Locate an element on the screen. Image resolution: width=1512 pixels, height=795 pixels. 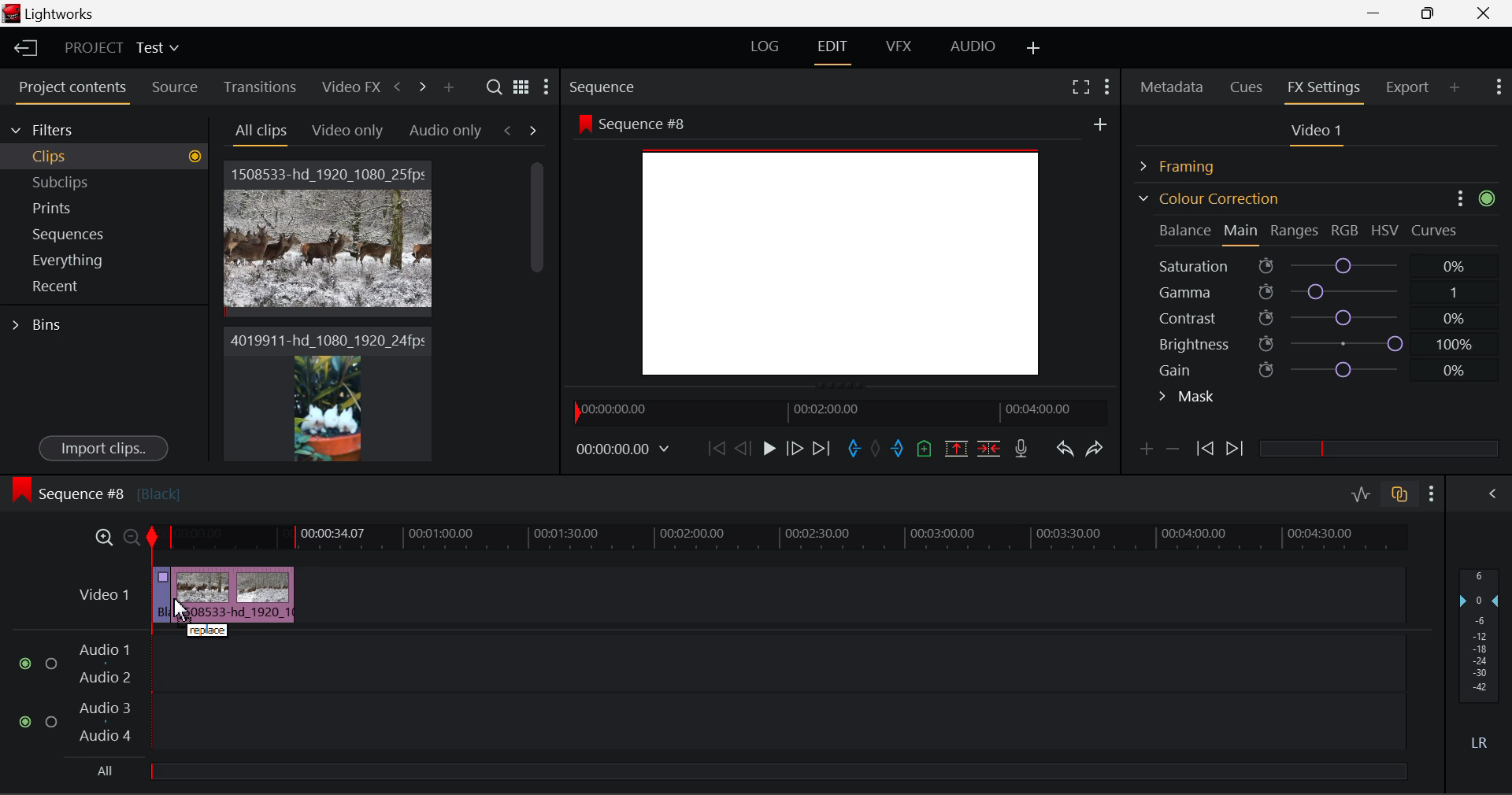
Curves is located at coordinates (1436, 230).